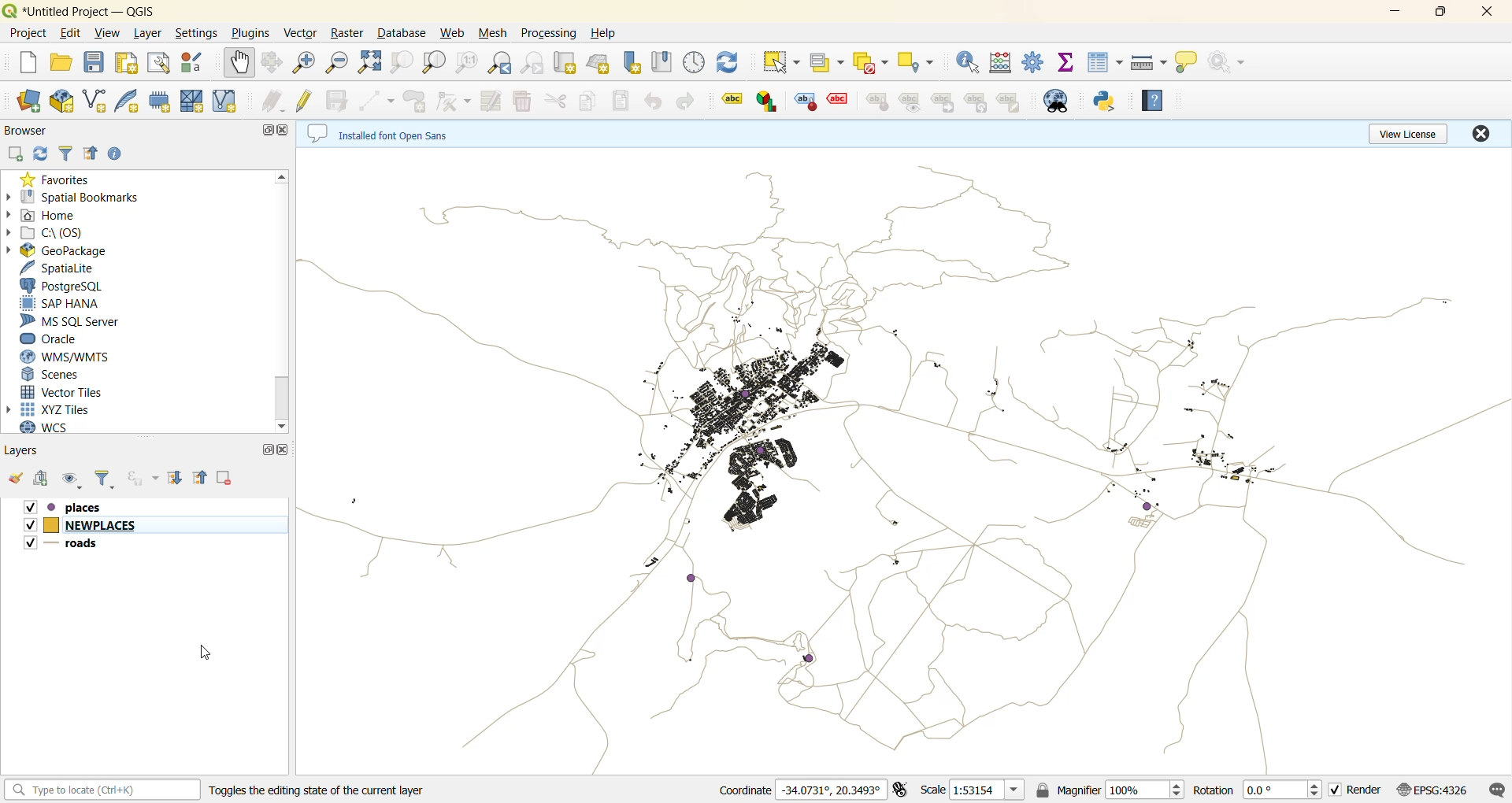 The width and height of the screenshot is (1512, 803). What do you see at coordinates (28, 451) in the screenshot?
I see `layers` at bounding box center [28, 451].